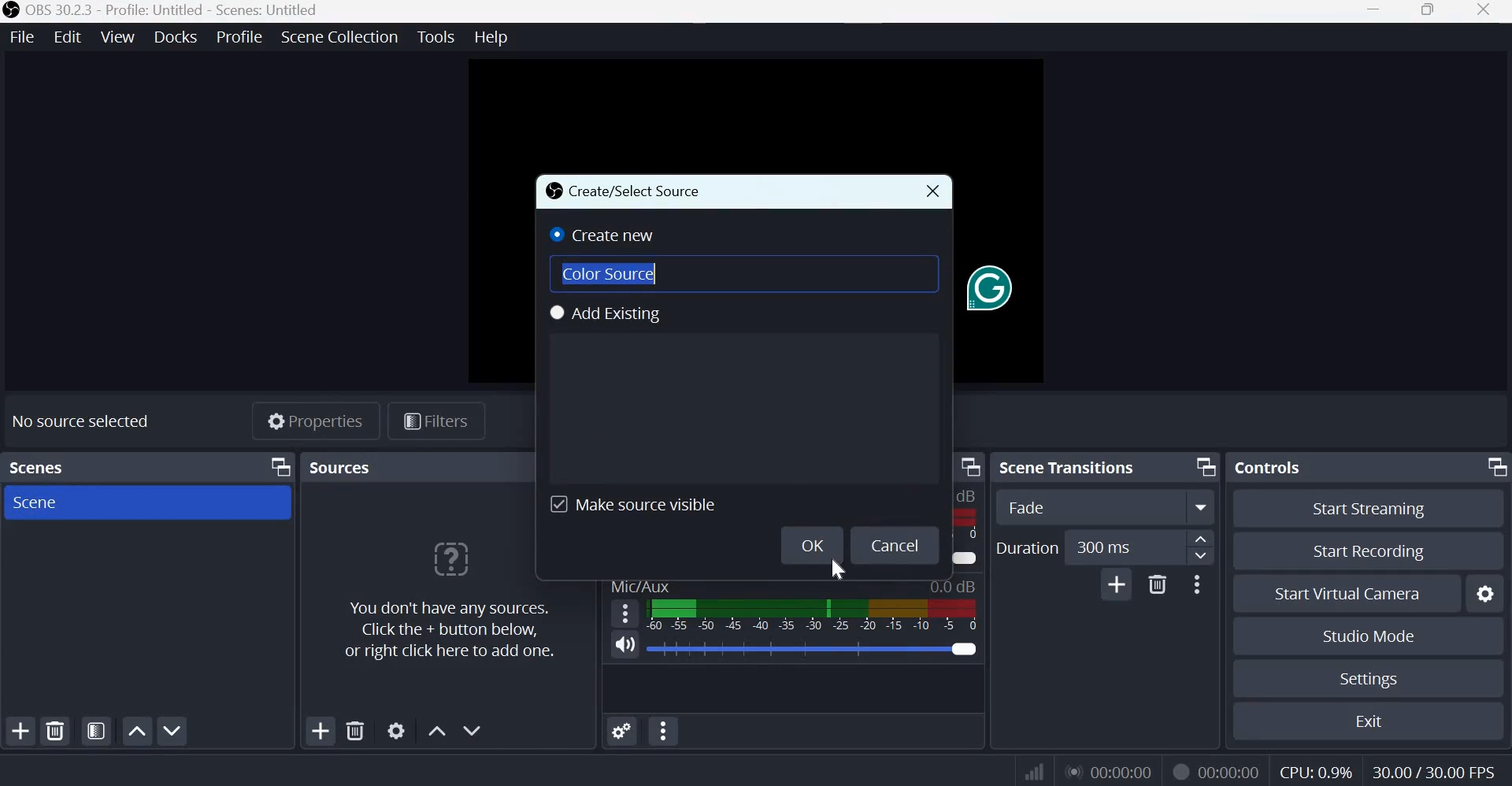  I want to click on Maximize, so click(1428, 11).